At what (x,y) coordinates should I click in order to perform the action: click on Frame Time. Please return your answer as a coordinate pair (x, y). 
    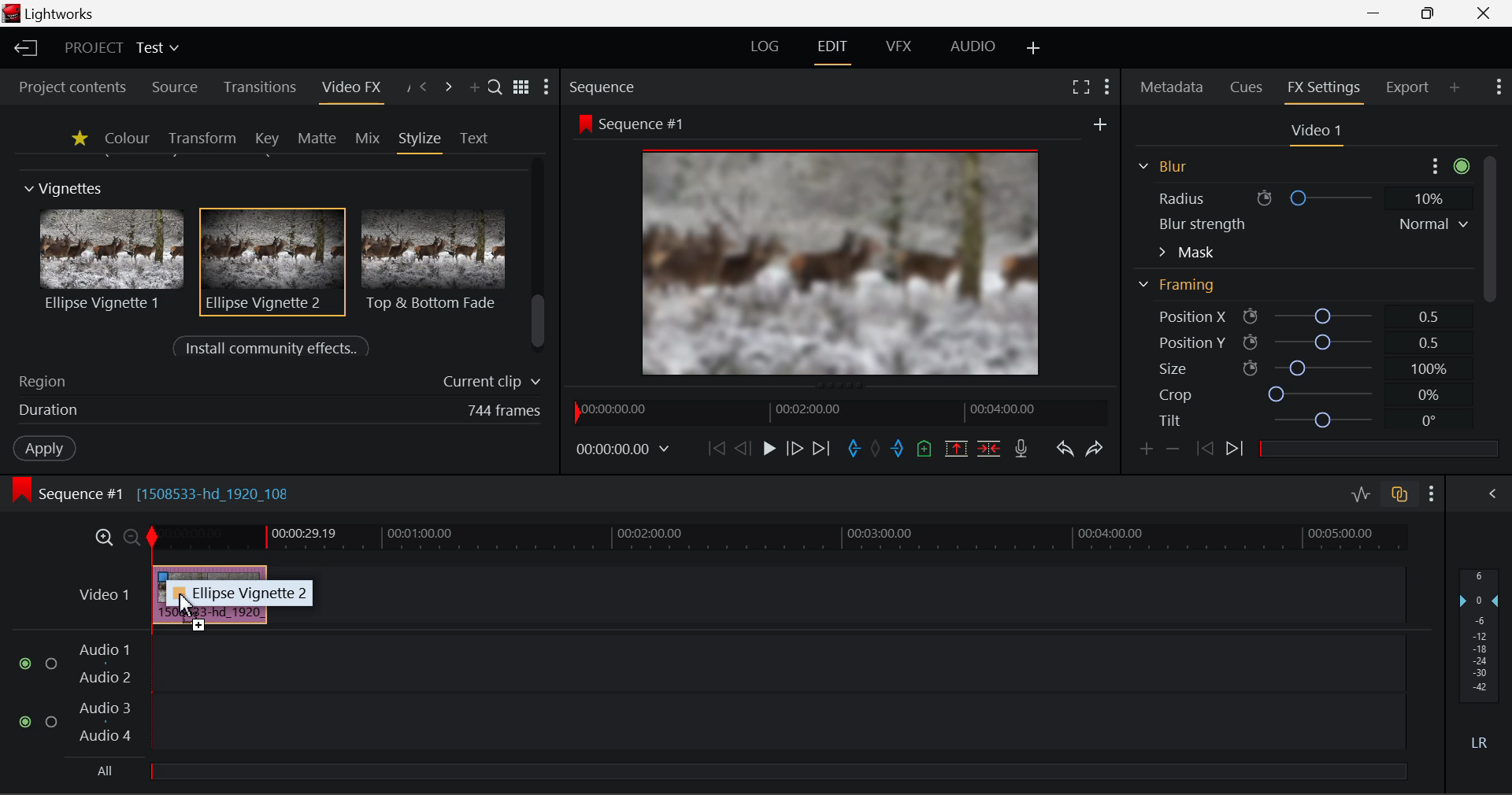
    Looking at the image, I should click on (624, 448).